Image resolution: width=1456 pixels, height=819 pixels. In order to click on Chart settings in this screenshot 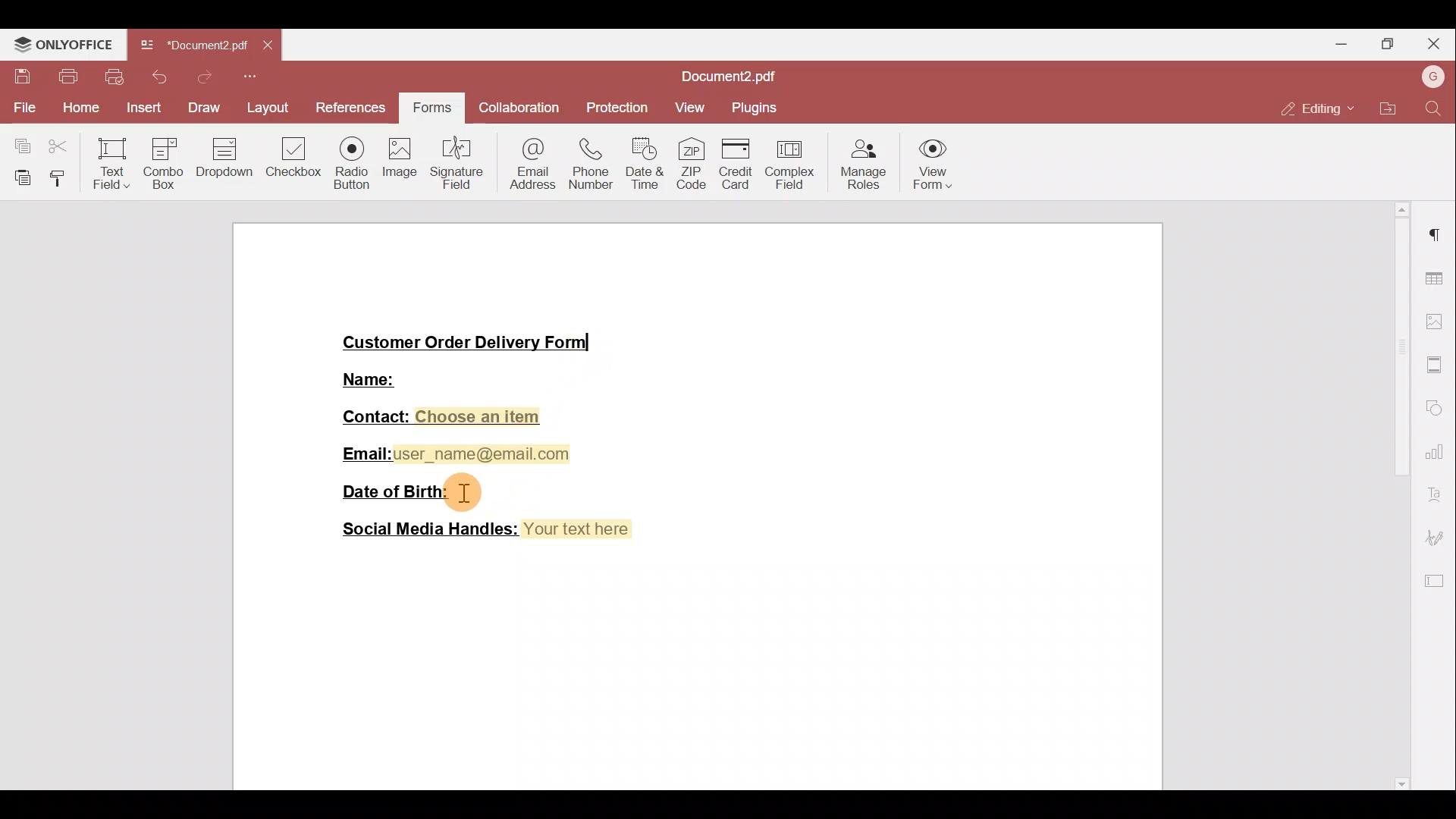, I will do `click(1438, 457)`.